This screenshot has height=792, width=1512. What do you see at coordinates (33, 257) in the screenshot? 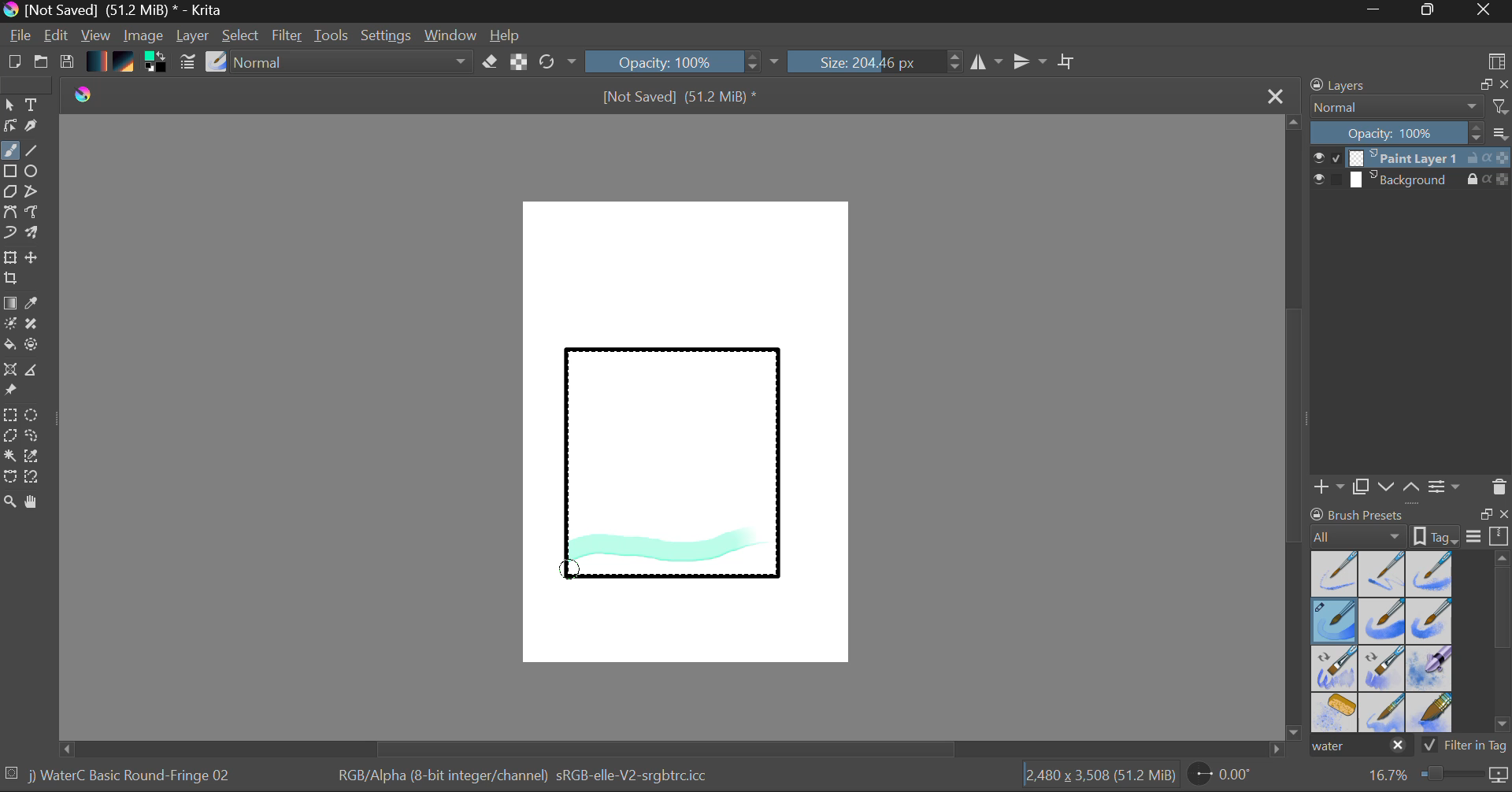
I see `Move Layer` at bounding box center [33, 257].